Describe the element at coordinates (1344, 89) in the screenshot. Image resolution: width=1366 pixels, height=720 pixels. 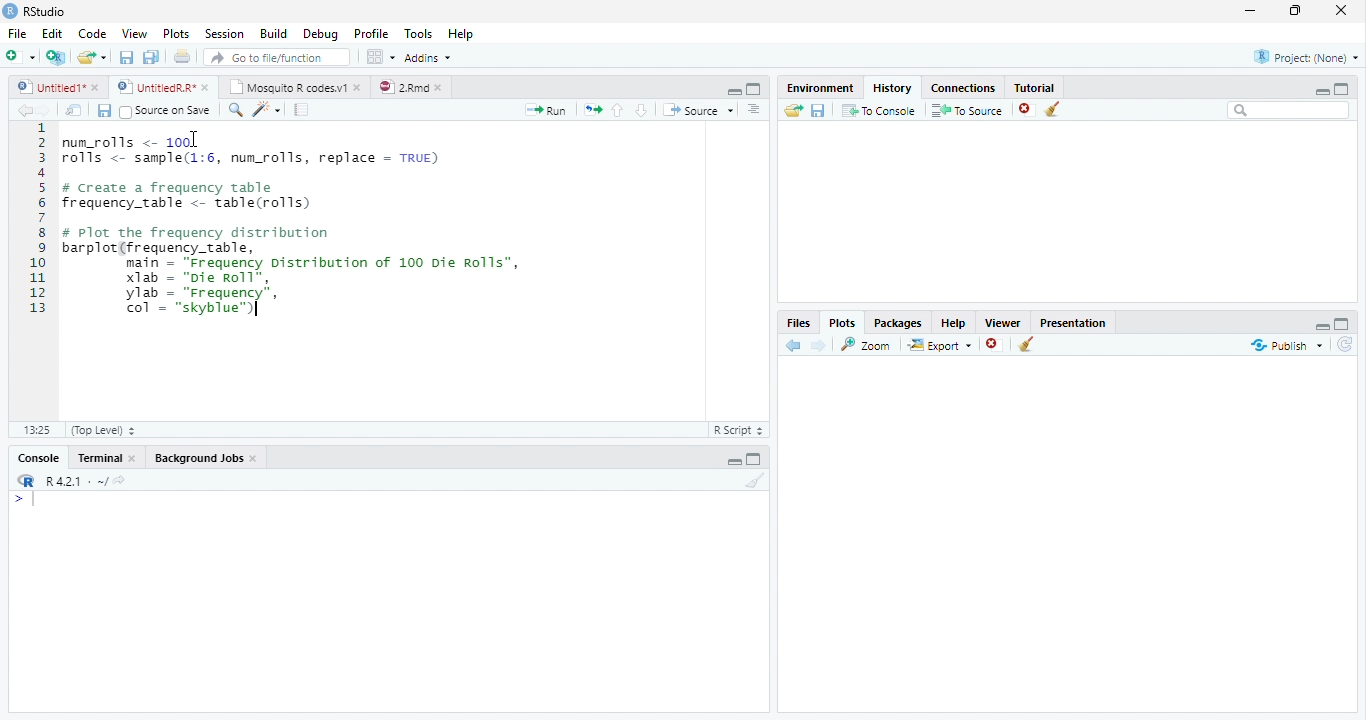
I see `Full Height` at that location.